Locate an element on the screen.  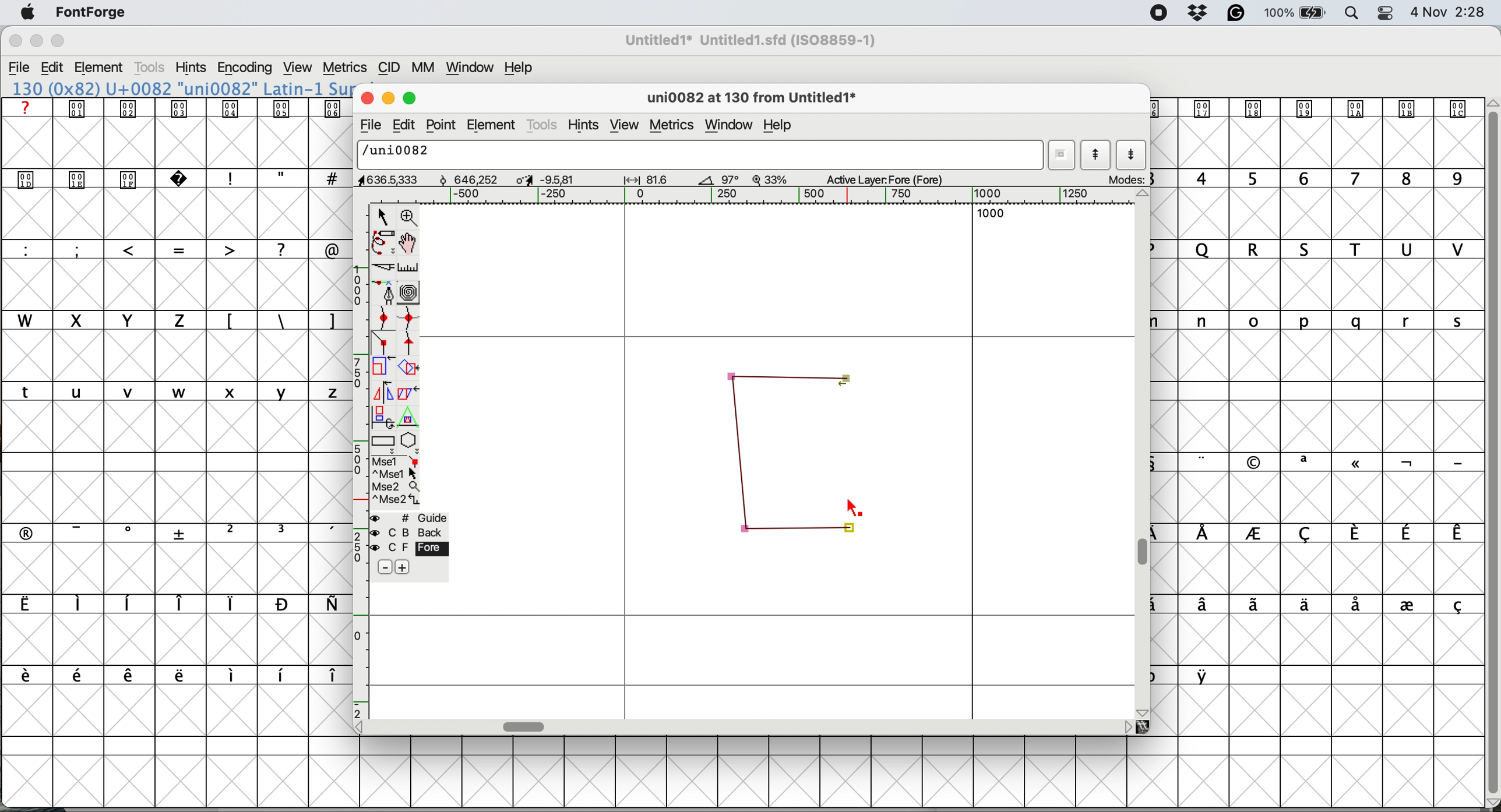
stars and polygons is located at coordinates (410, 443).